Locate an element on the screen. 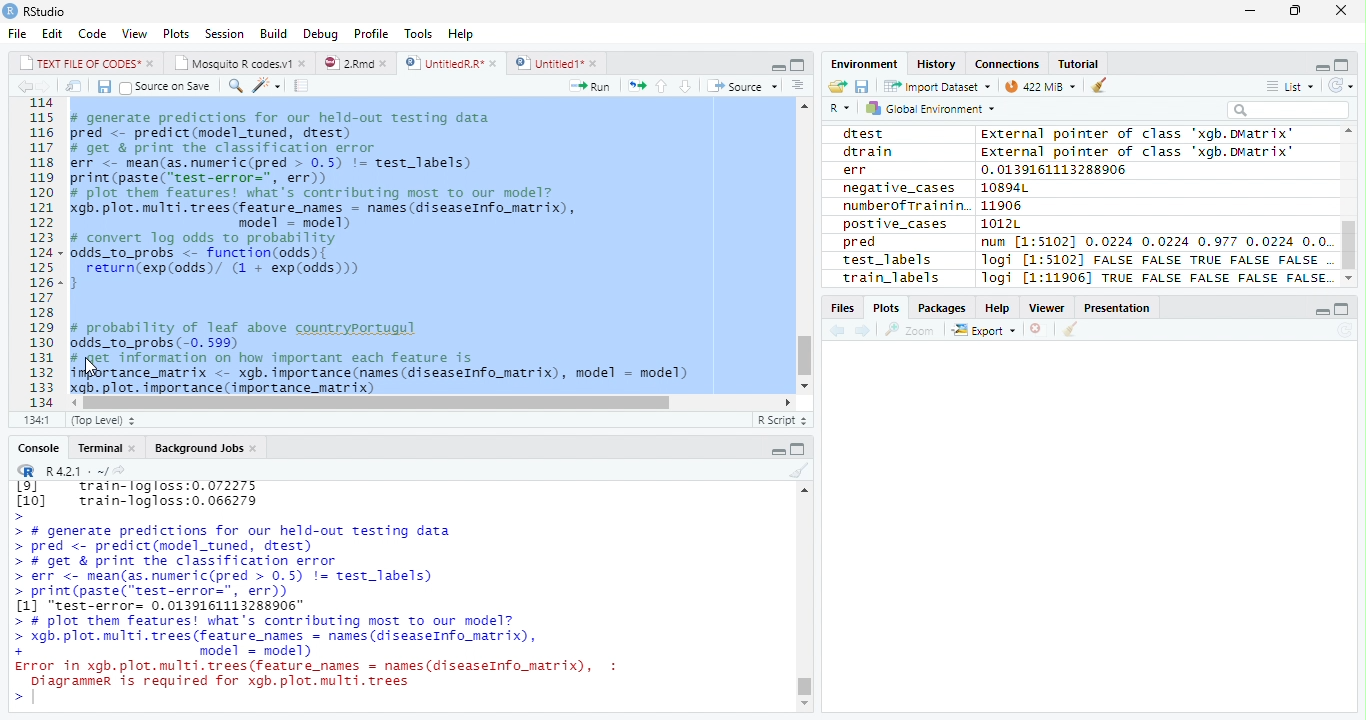 The height and width of the screenshot is (720, 1366). UntitiedR.R*  is located at coordinates (451, 62).